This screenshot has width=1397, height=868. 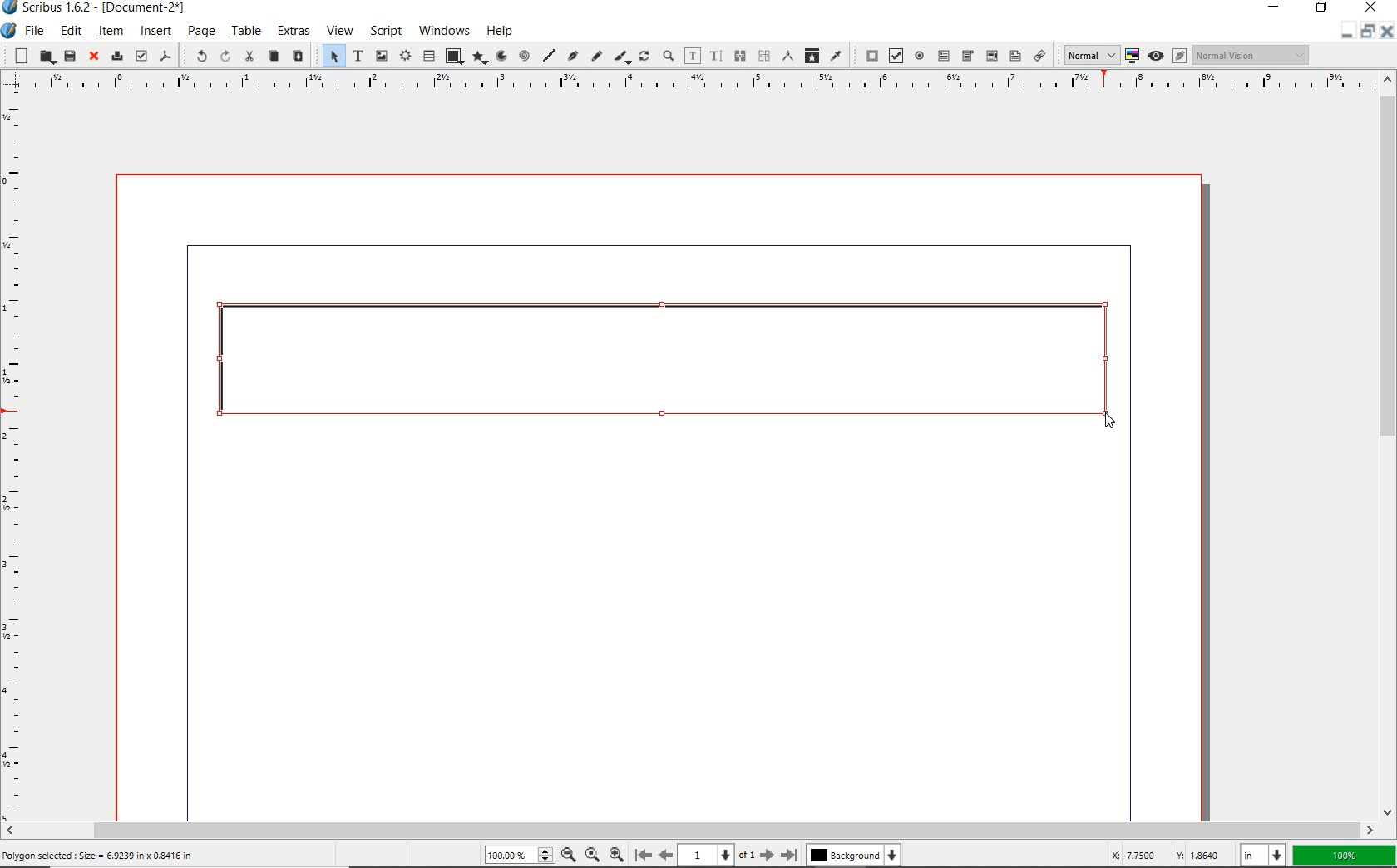 What do you see at coordinates (692, 56) in the screenshot?
I see `edit contents of frame` at bounding box center [692, 56].